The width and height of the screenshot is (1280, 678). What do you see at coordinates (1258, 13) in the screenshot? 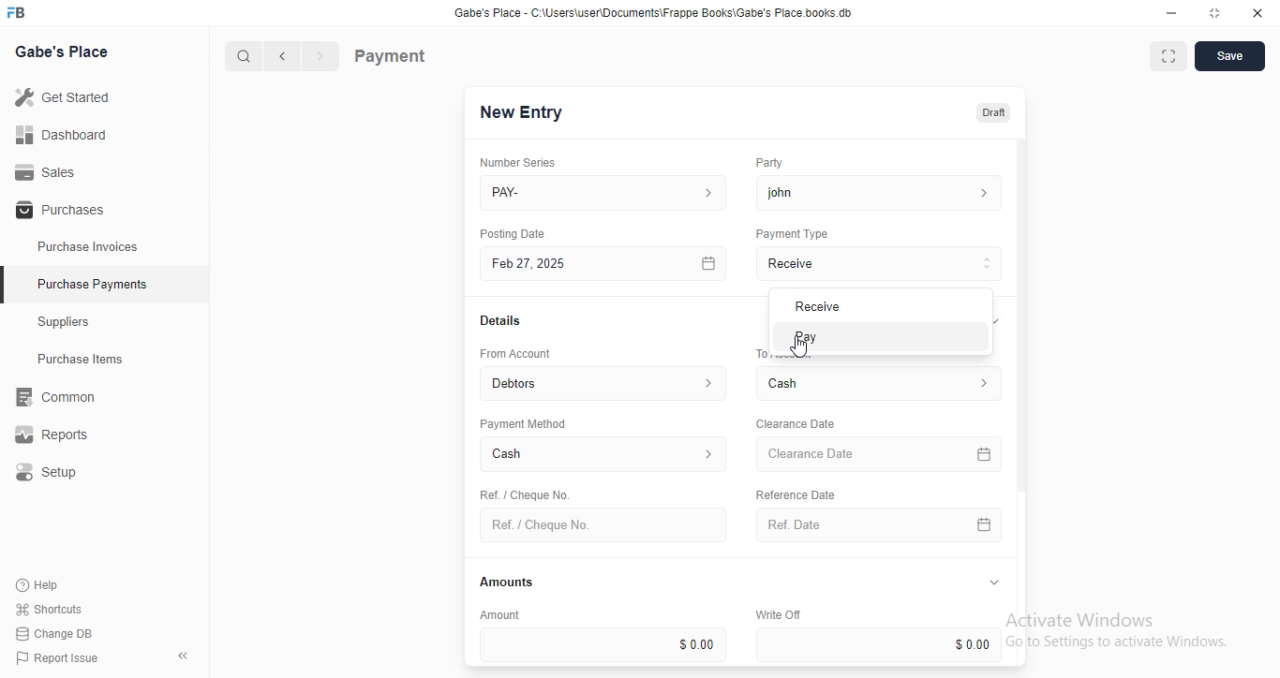
I see `close` at bounding box center [1258, 13].